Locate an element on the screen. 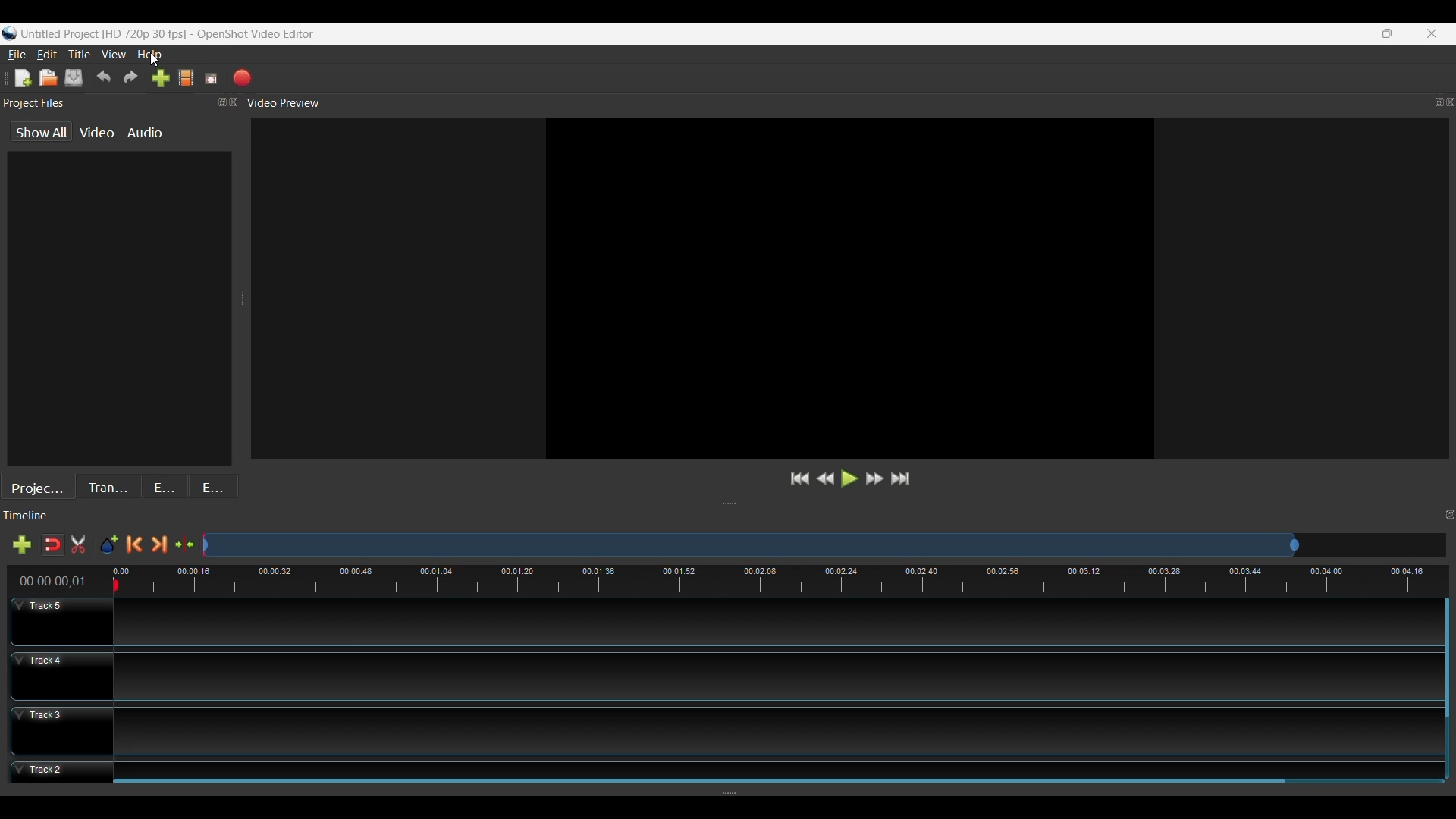 The height and width of the screenshot is (819, 1456). View is located at coordinates (115, 54).